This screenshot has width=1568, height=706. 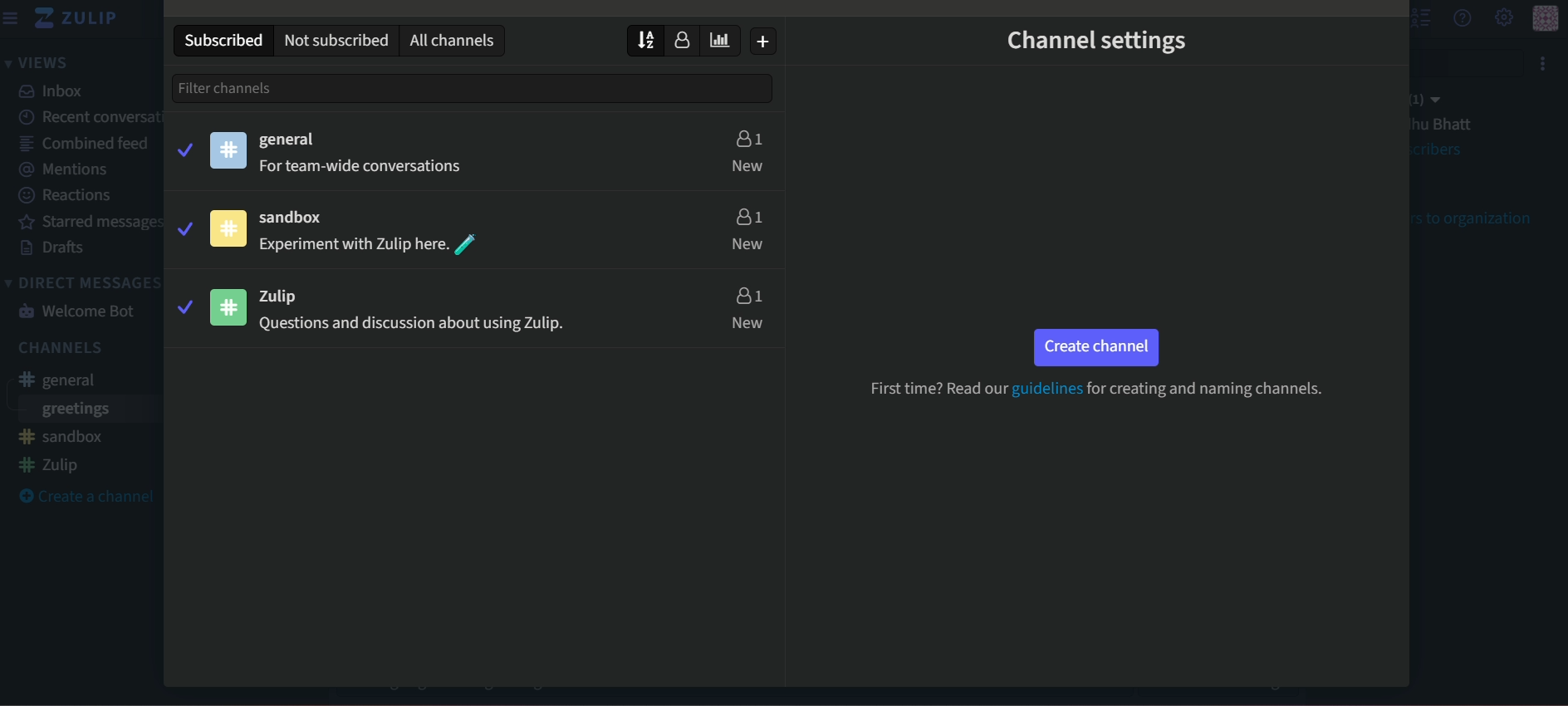 What do you see at coordinates (37, 61) in the screenshot?
I see `views` at bounding box center [37, 61].